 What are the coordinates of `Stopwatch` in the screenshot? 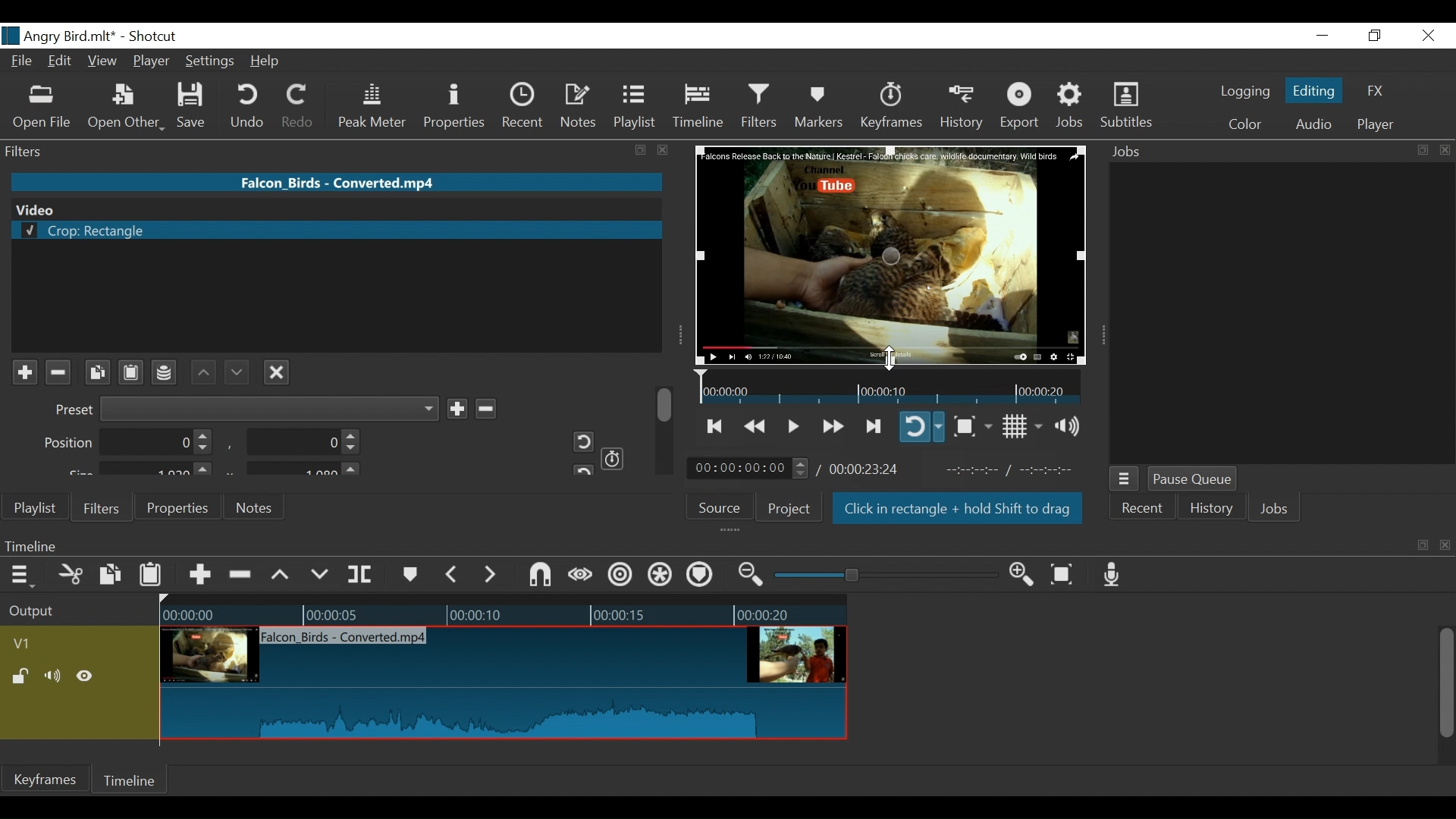 It's located at (613, 457).